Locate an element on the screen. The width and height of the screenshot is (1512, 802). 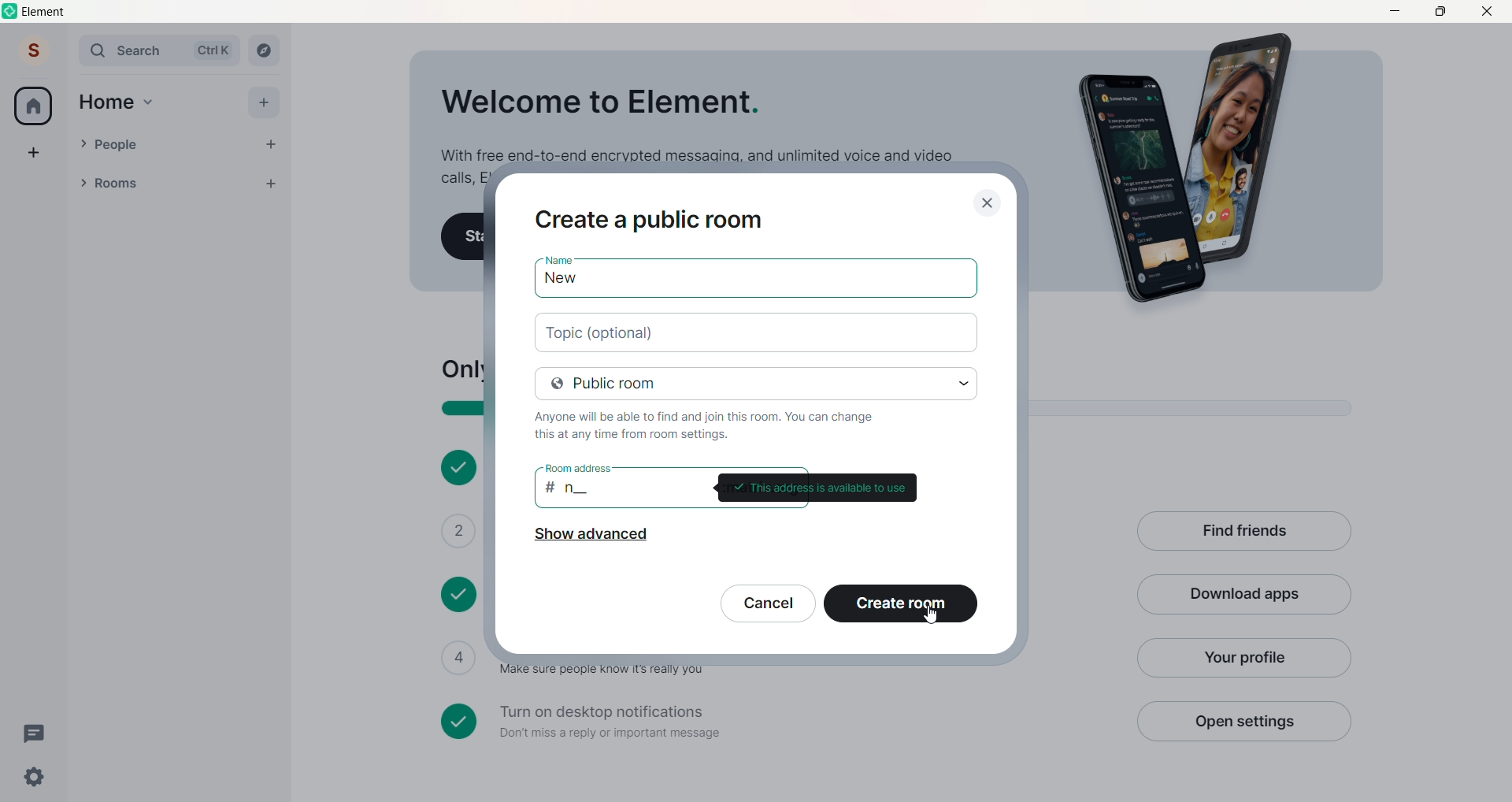
Account is located at coordinates (34, 50).